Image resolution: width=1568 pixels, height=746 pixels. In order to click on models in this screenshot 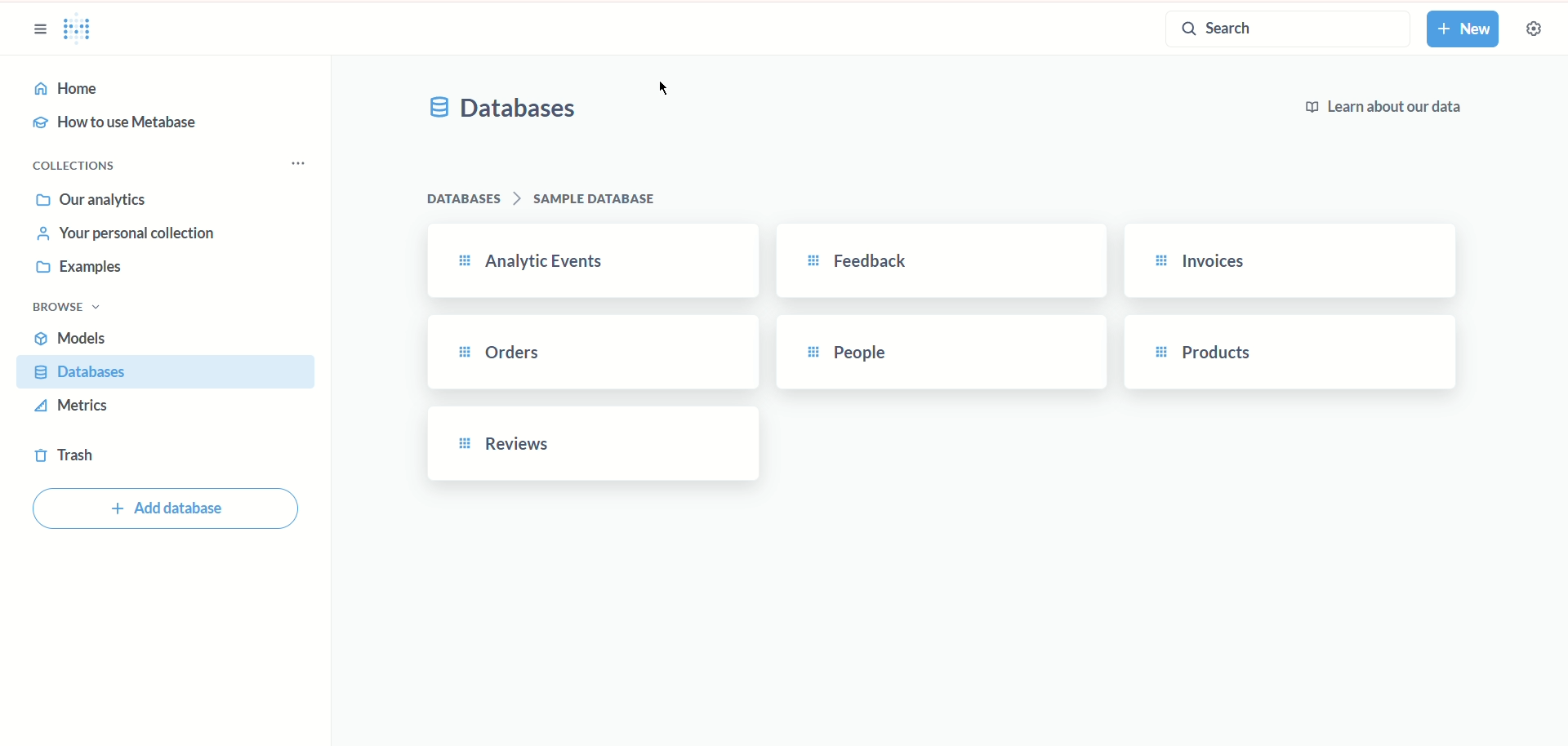, I will do `click(74, 338)`.